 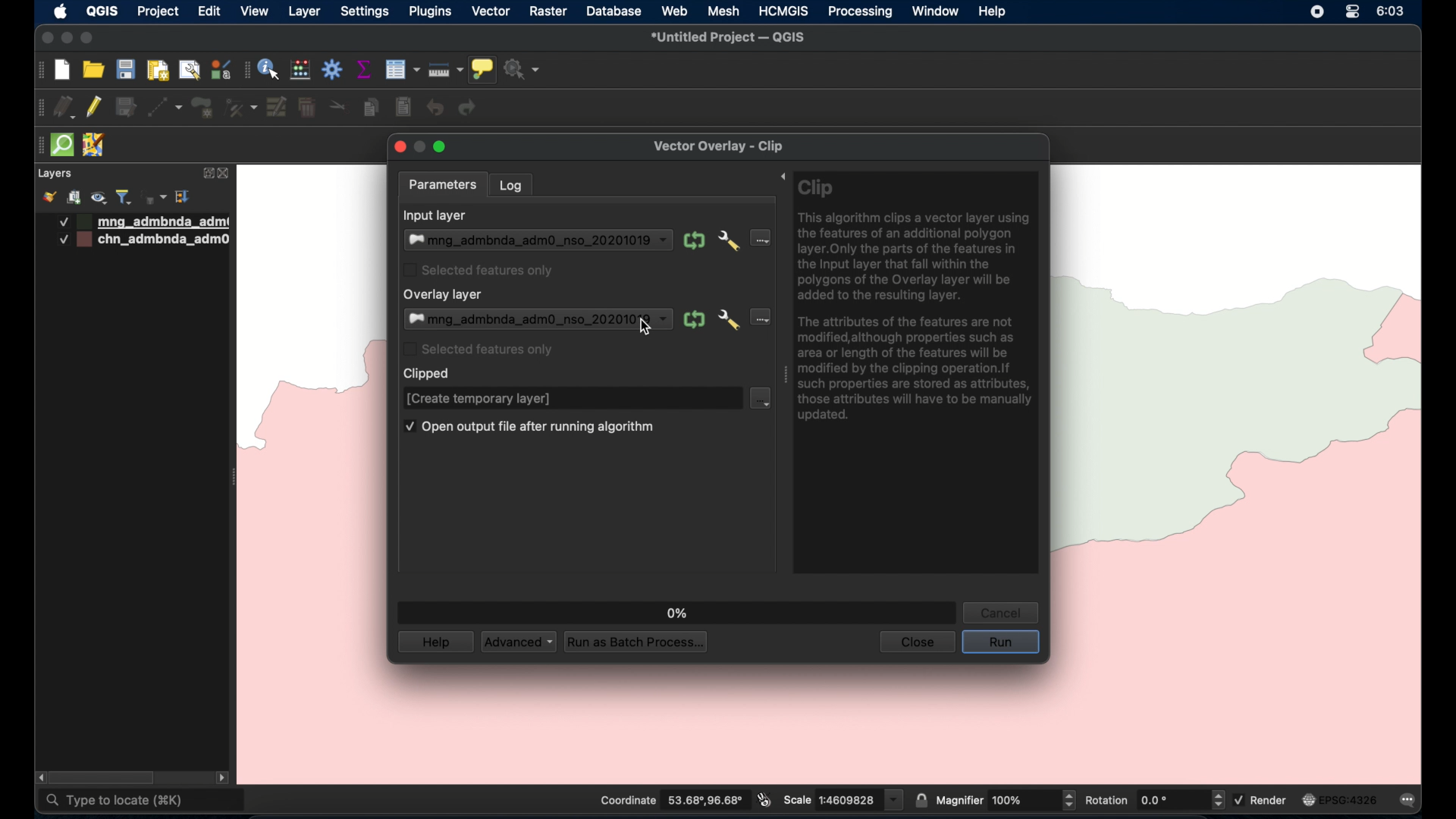 What do you see at coordinates (1316, 11) in the screenshot?
I see `screen recorder icon` at bounding box center [1316, 11].